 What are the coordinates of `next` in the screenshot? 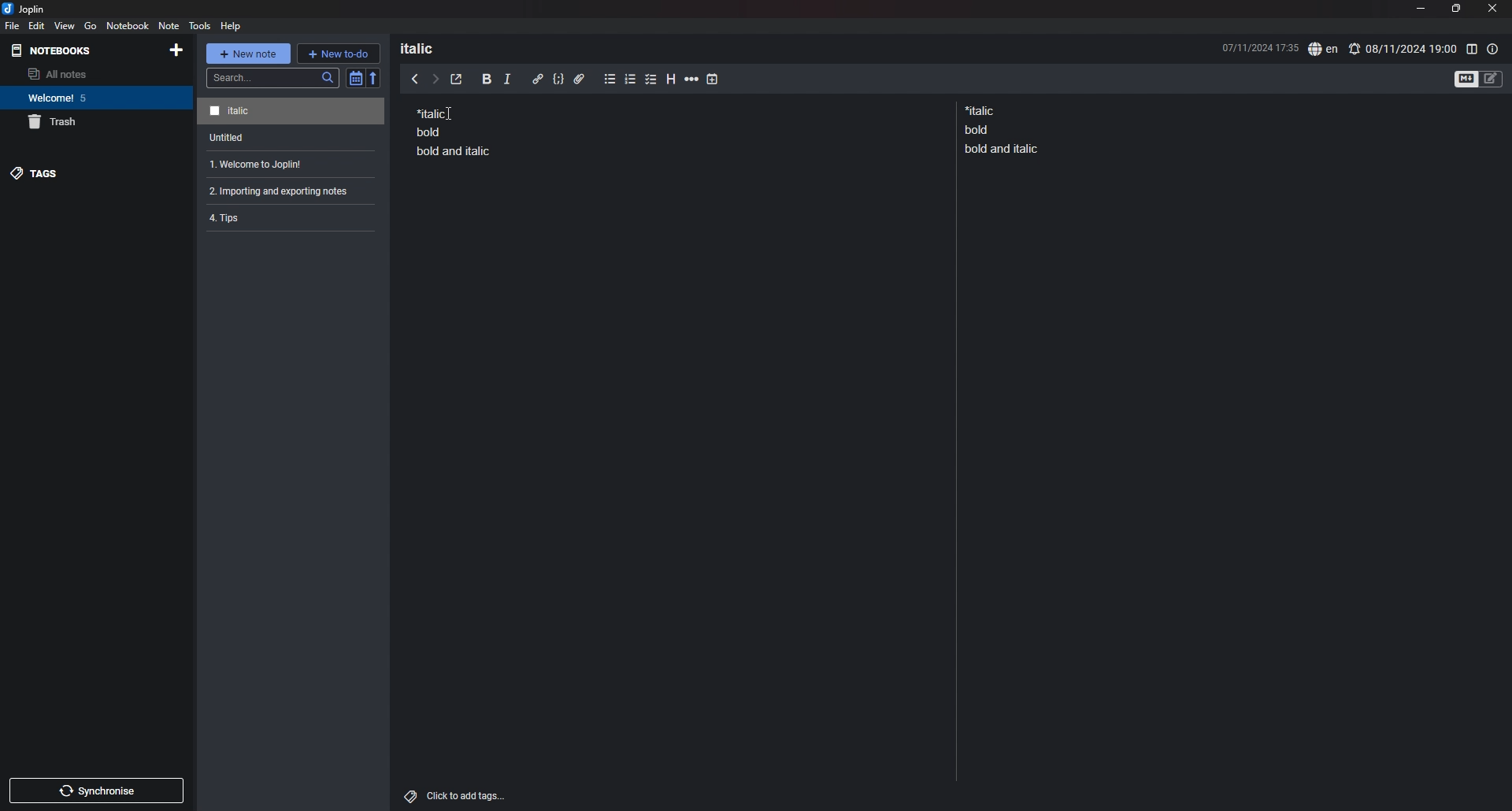 It's located at (435, 80).